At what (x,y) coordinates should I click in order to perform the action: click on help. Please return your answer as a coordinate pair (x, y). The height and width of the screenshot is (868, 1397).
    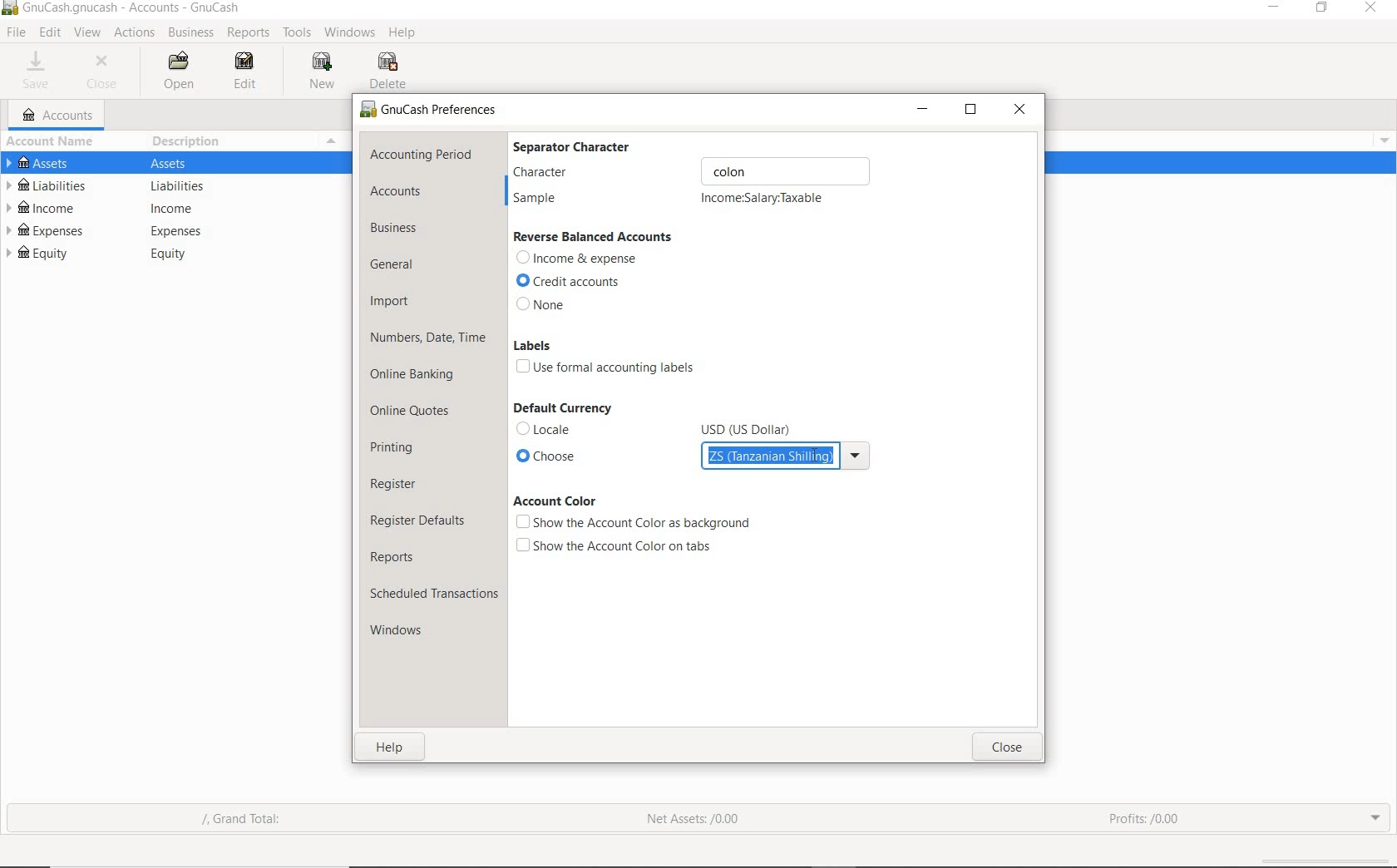
    Looking at the image, I should click on (393, 747).